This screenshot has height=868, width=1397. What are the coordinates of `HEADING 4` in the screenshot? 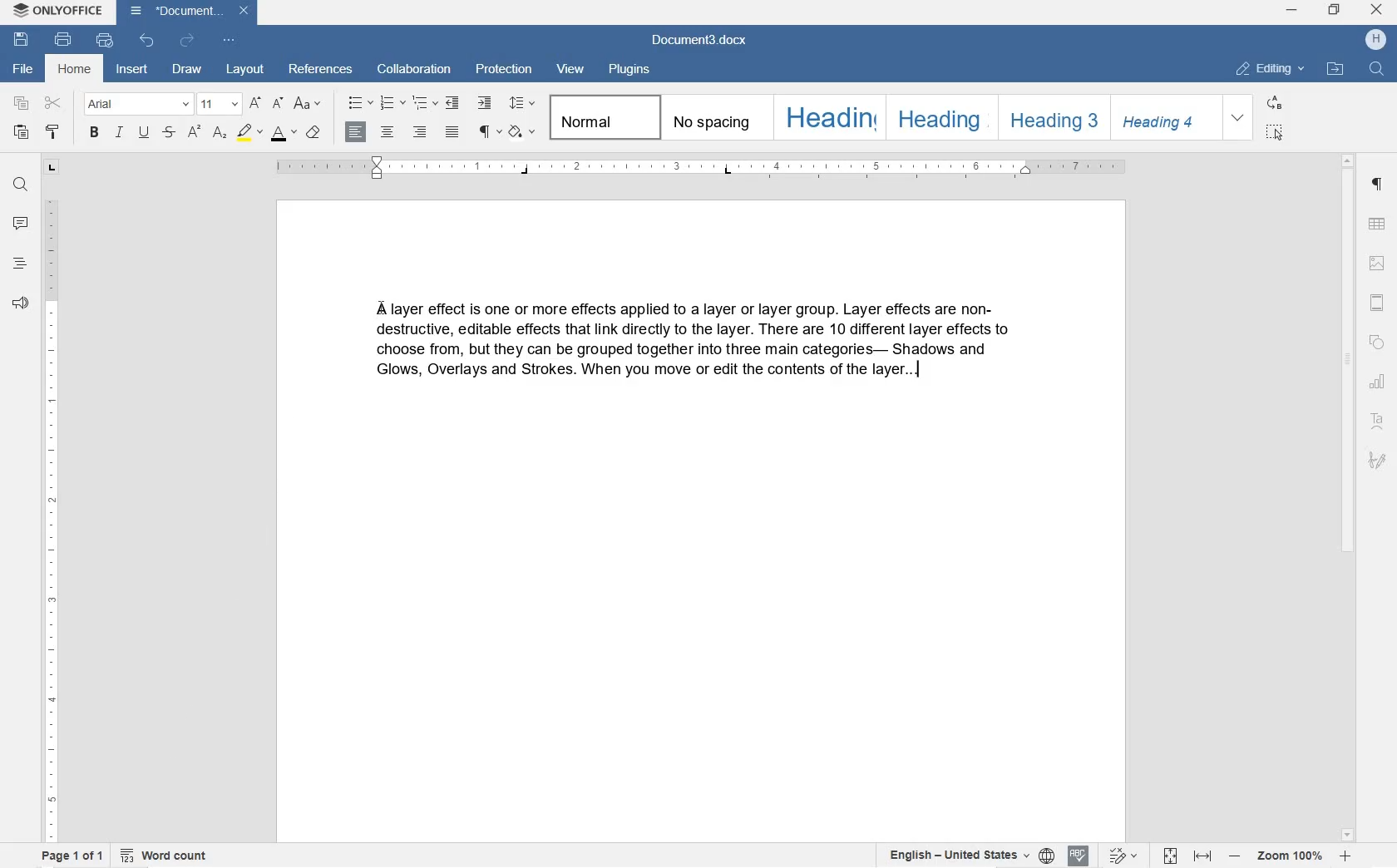 It's located at (1165, 118).